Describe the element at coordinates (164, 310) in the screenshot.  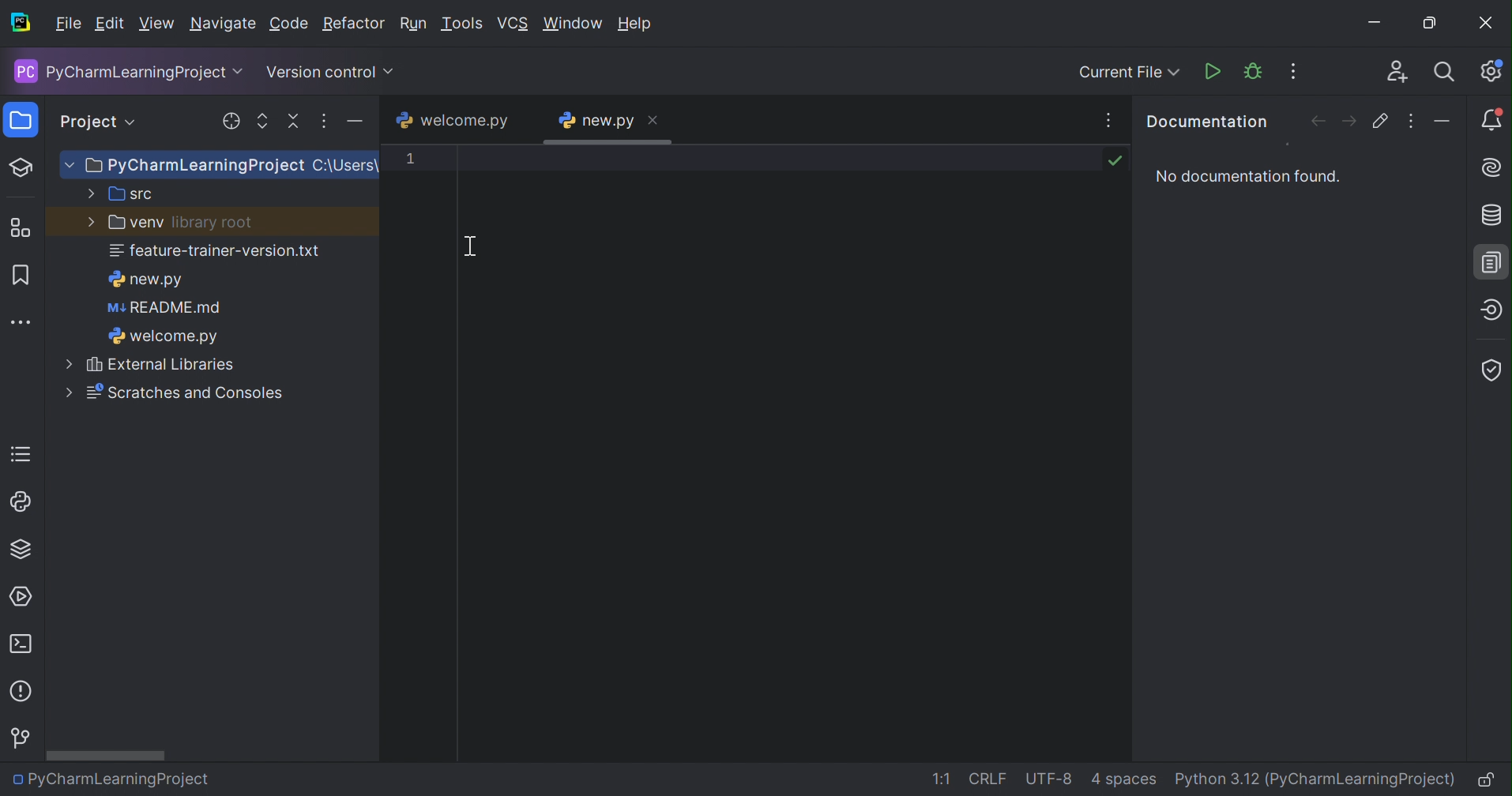
I see `README.md` at that location.